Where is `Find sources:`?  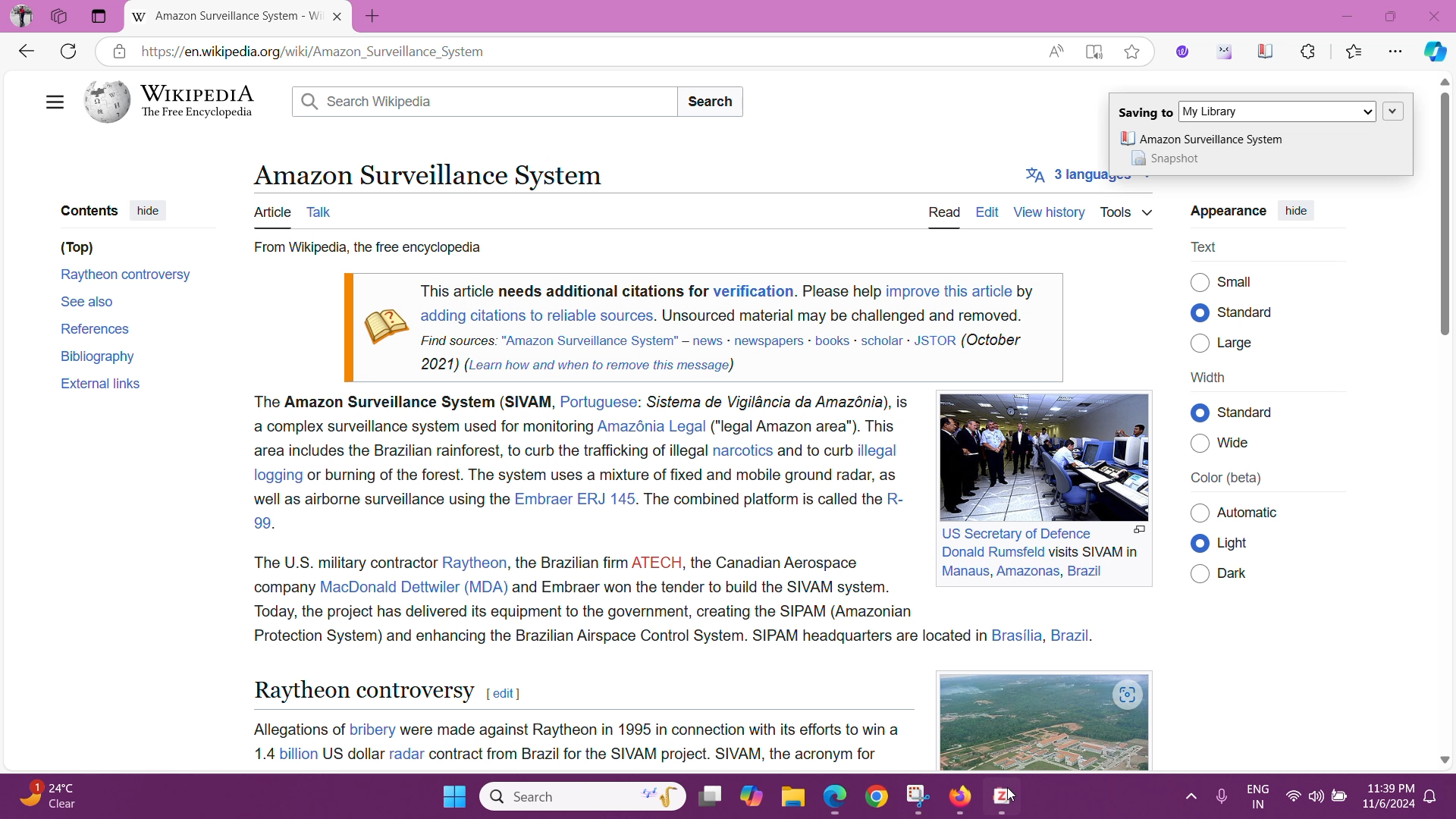 Find sources: is located at coordinates (459, 339).